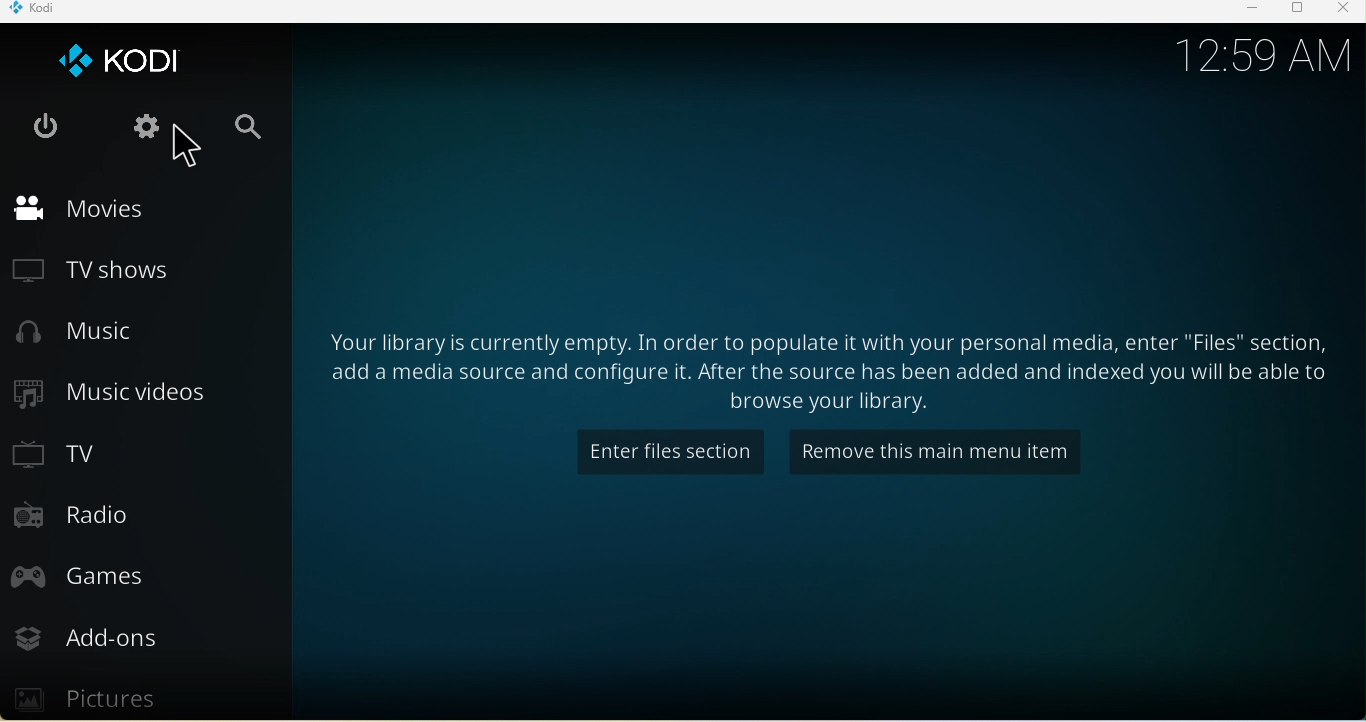 The height and width of the screenshot is (722, 1366). Describe the element at coordinates (41, 12) in the screenshot. I see `Kodi icon` at that location.